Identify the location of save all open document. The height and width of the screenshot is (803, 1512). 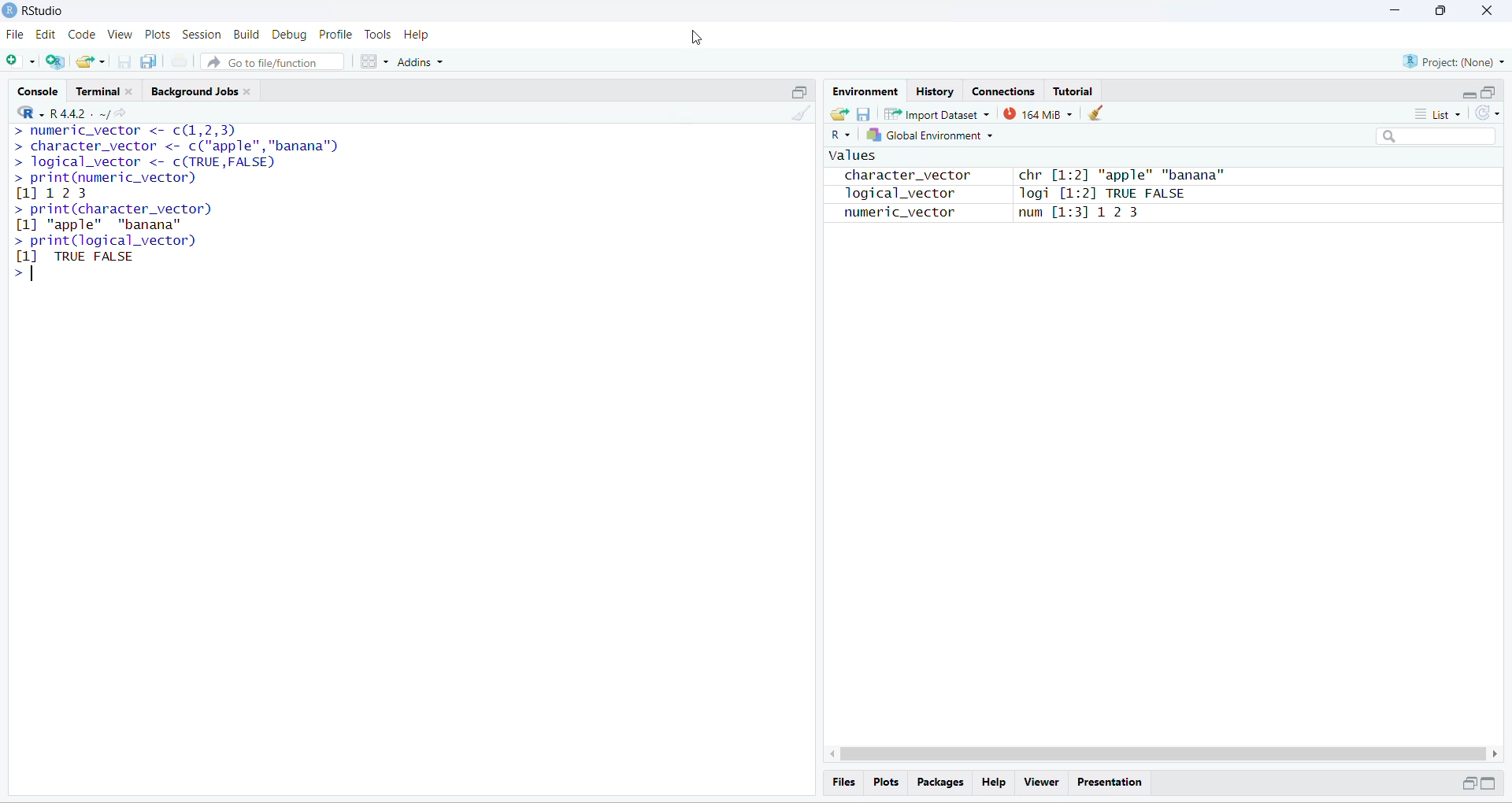
(150, 61).